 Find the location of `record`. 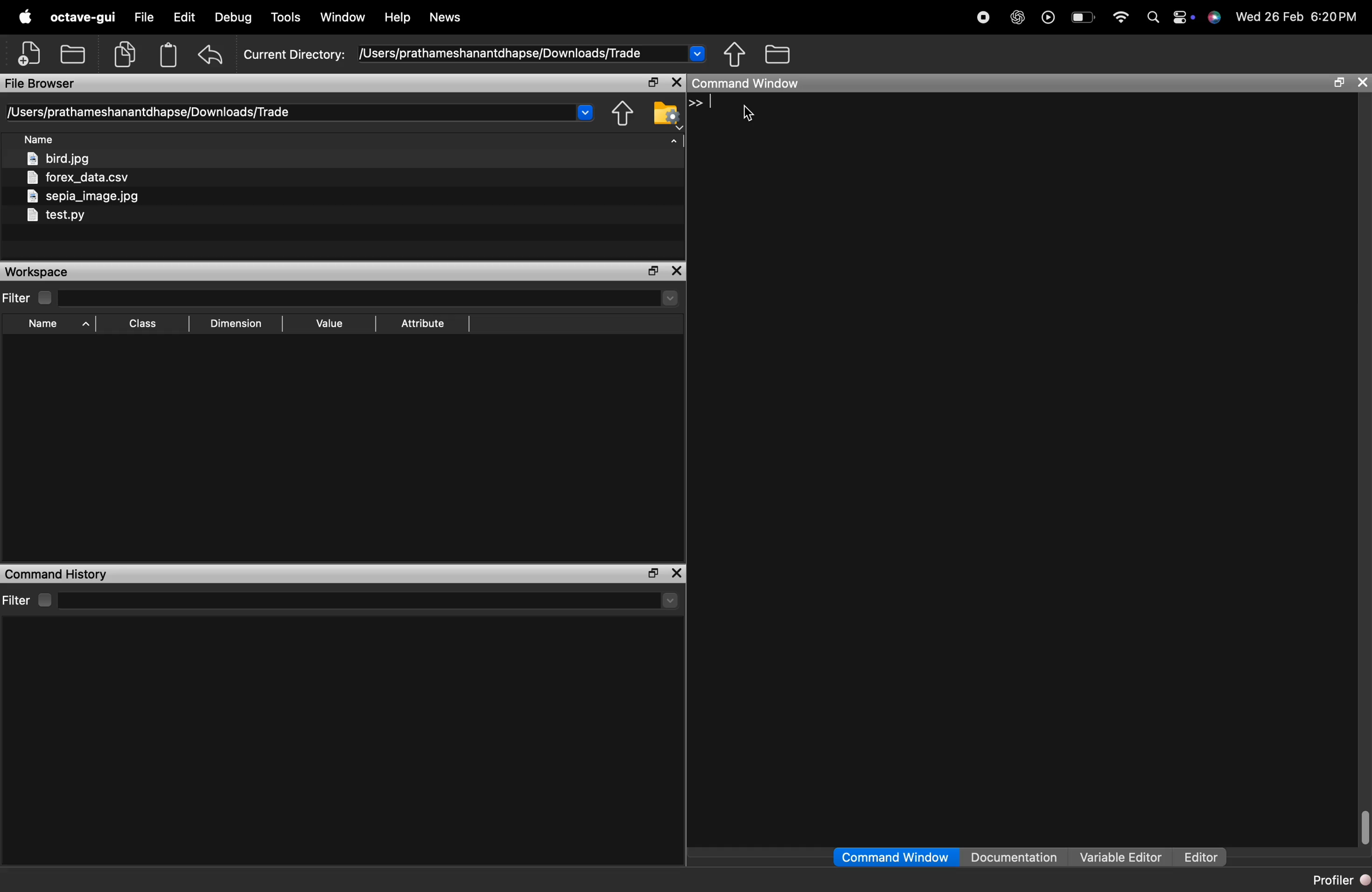

record is located at coordinates (983, 17).